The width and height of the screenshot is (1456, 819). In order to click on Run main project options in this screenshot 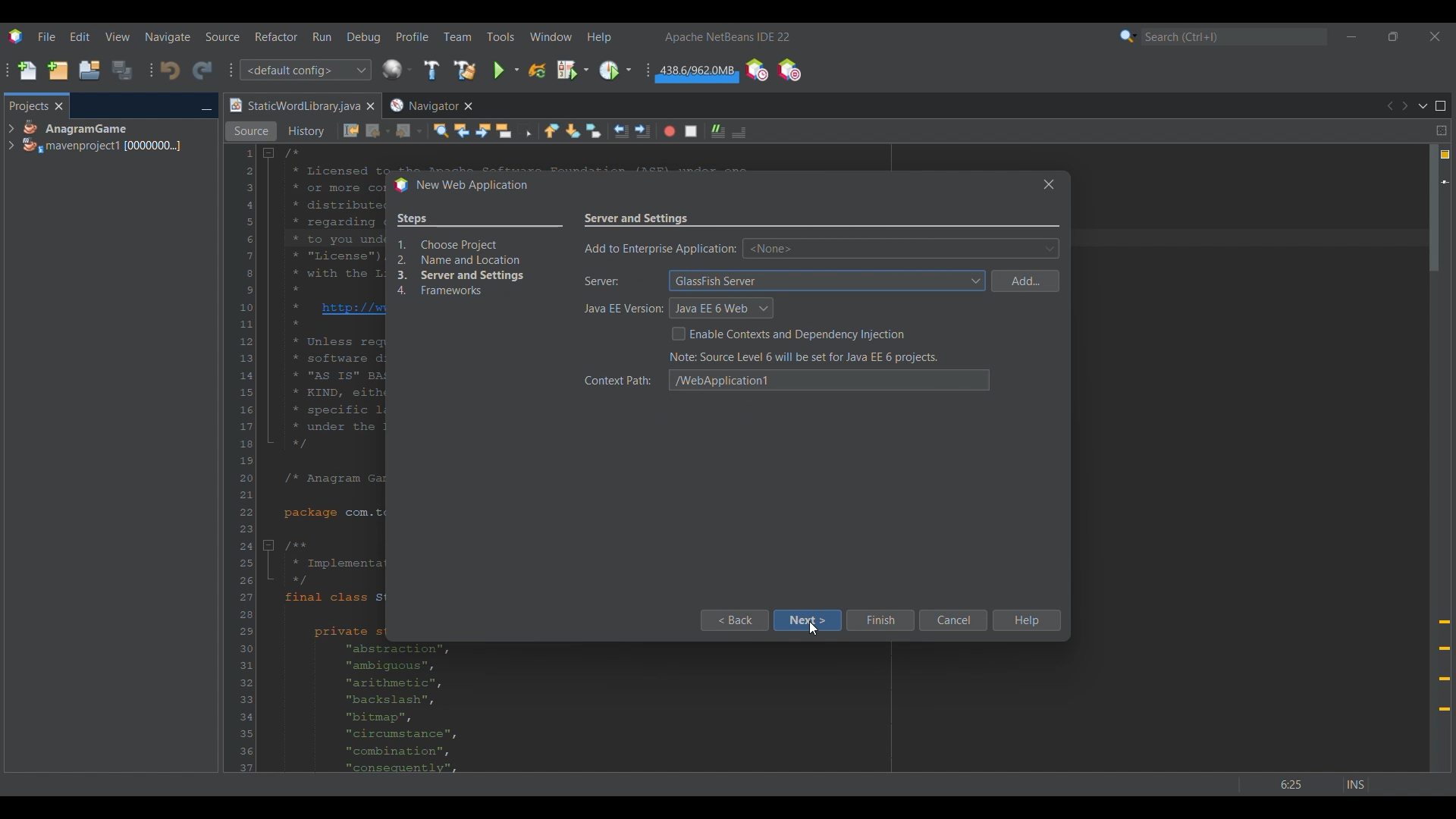, I will do `click(507, 70)`.